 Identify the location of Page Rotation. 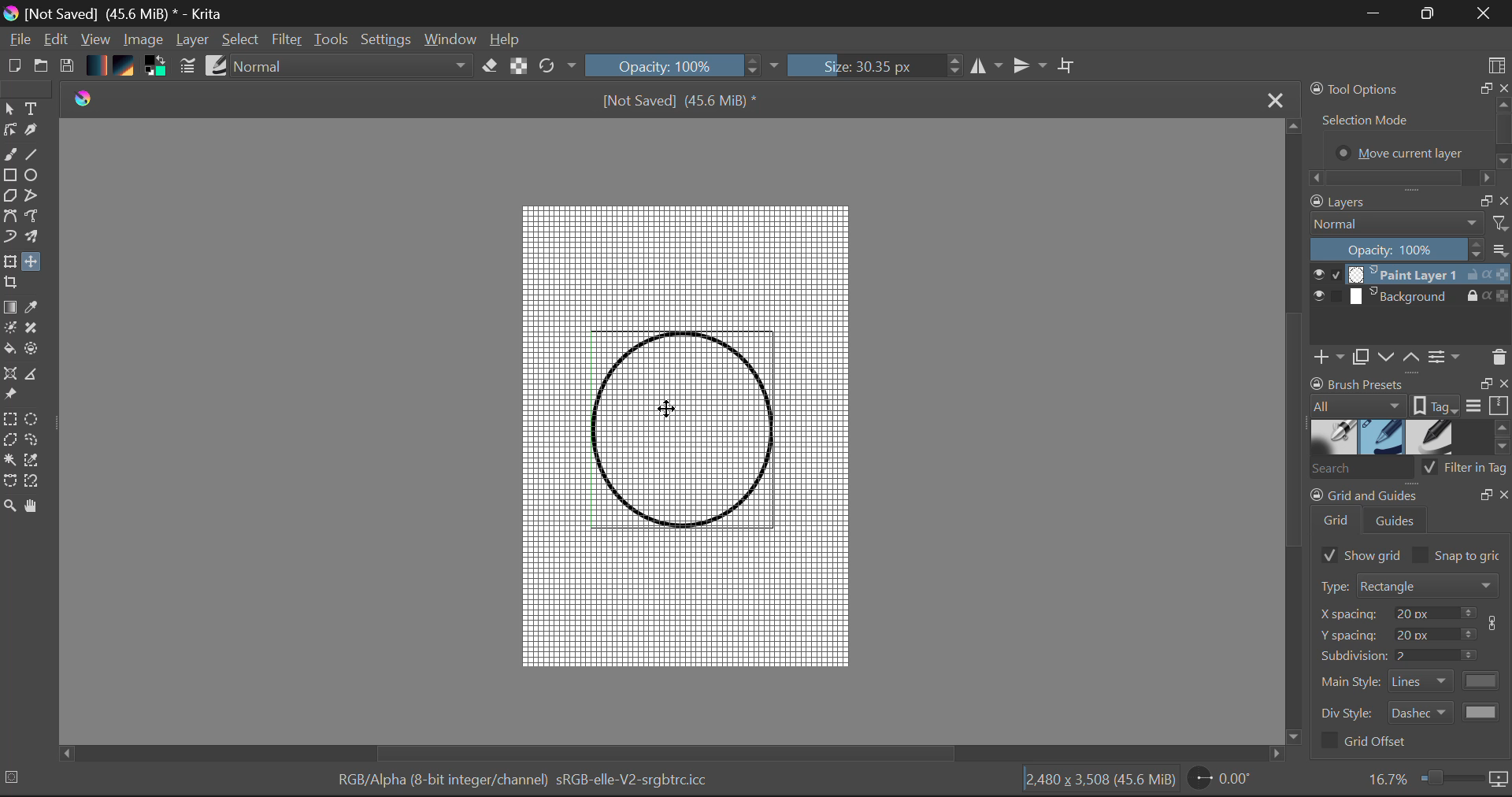
(1225, 781).